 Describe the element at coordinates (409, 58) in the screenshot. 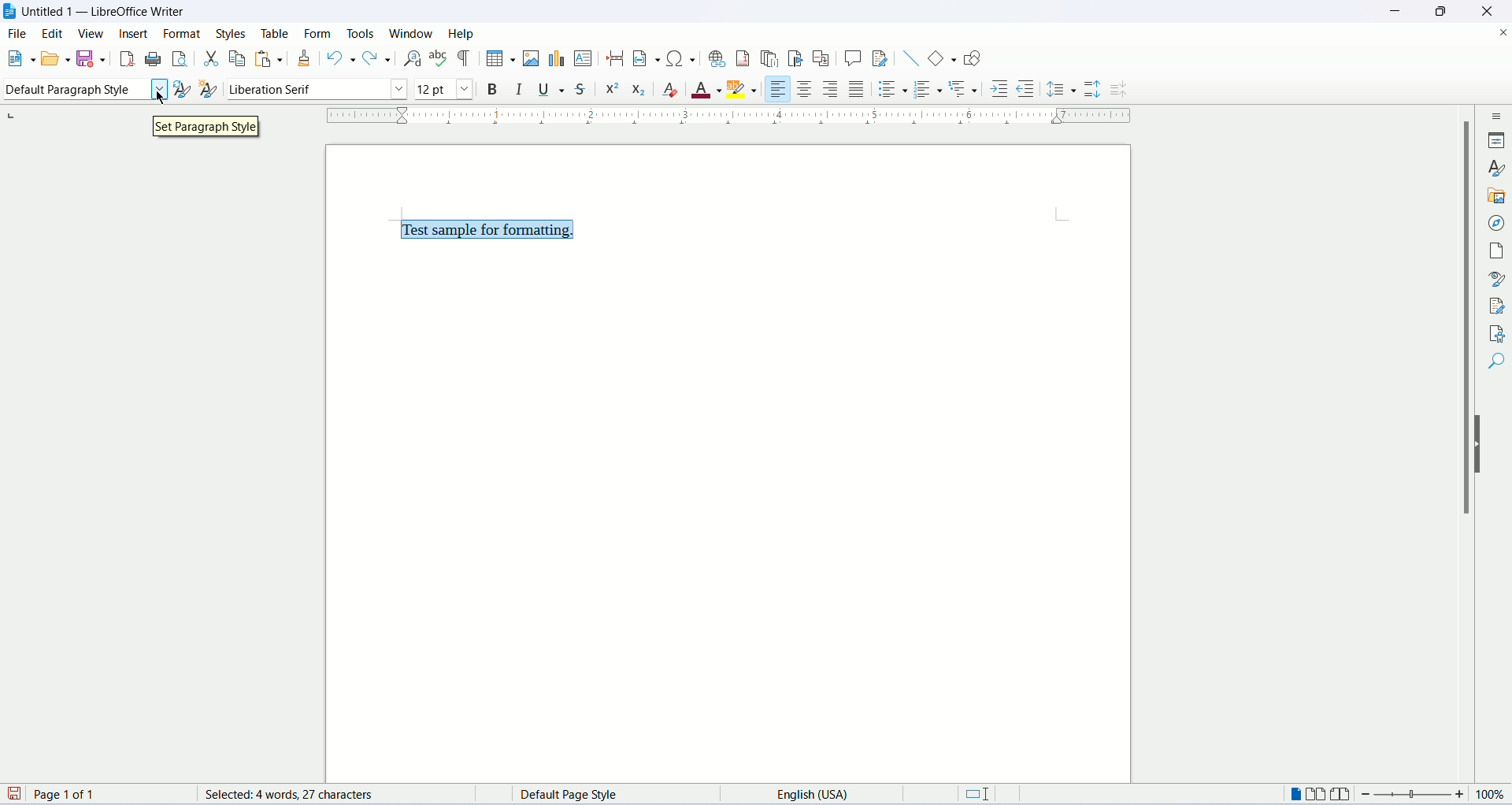

I see `find and replace` at that location.